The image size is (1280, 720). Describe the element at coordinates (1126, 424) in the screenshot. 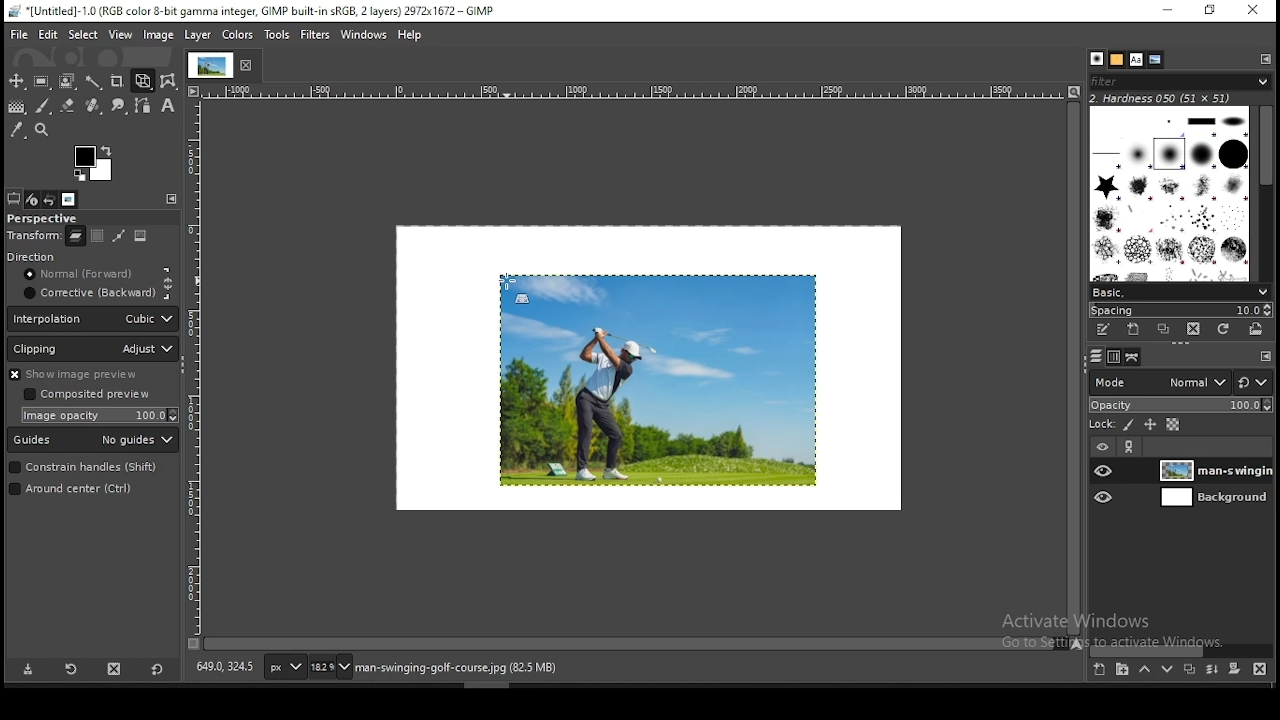

I see `lock pixels` at that location.